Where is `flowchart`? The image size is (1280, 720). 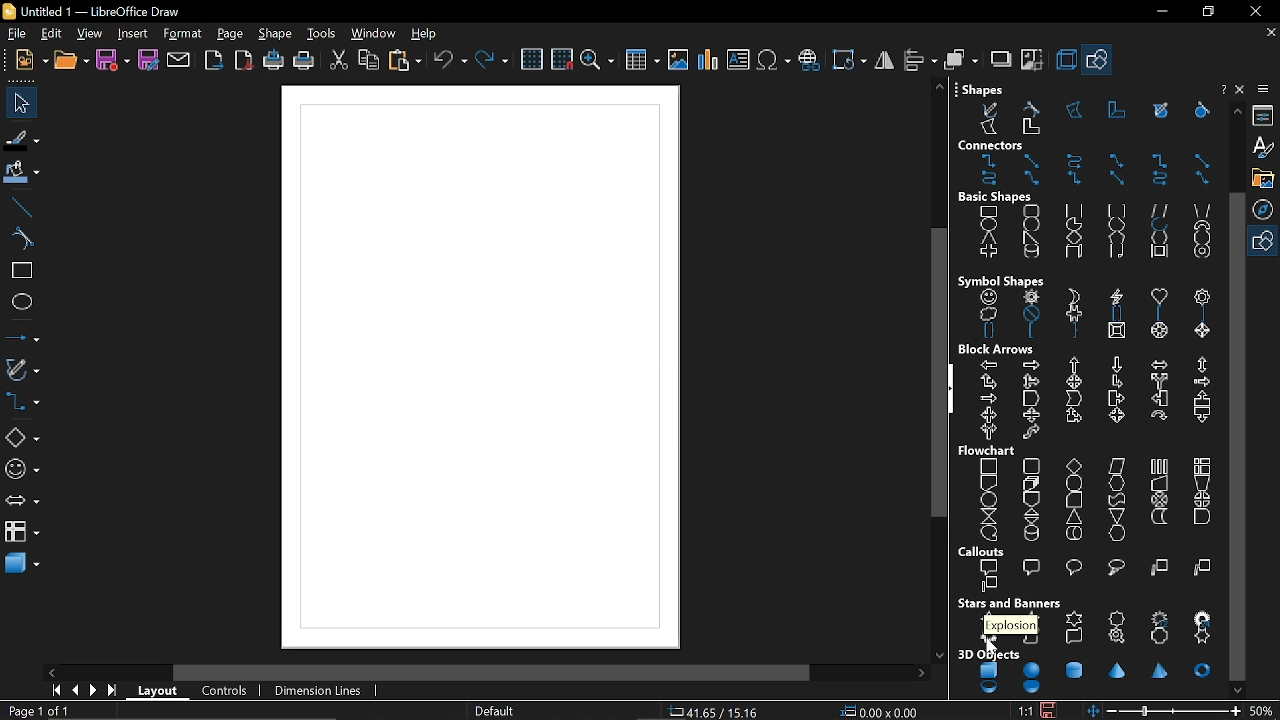 flowchart is located at coordinates (1091, 493).